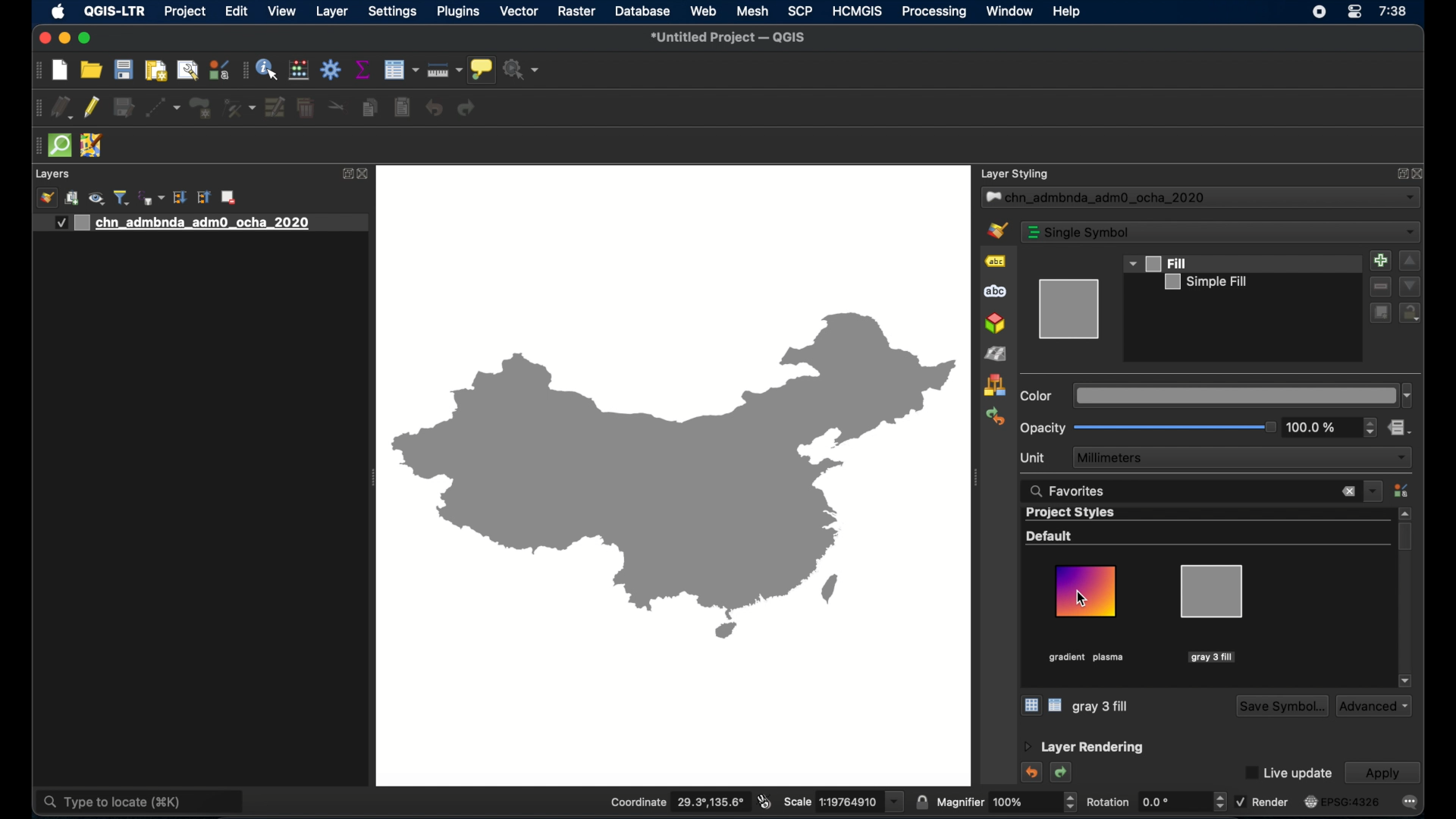  Describe the element at coordinates (1083, 748) in the screenshot. I see `layer rendering` at that location.